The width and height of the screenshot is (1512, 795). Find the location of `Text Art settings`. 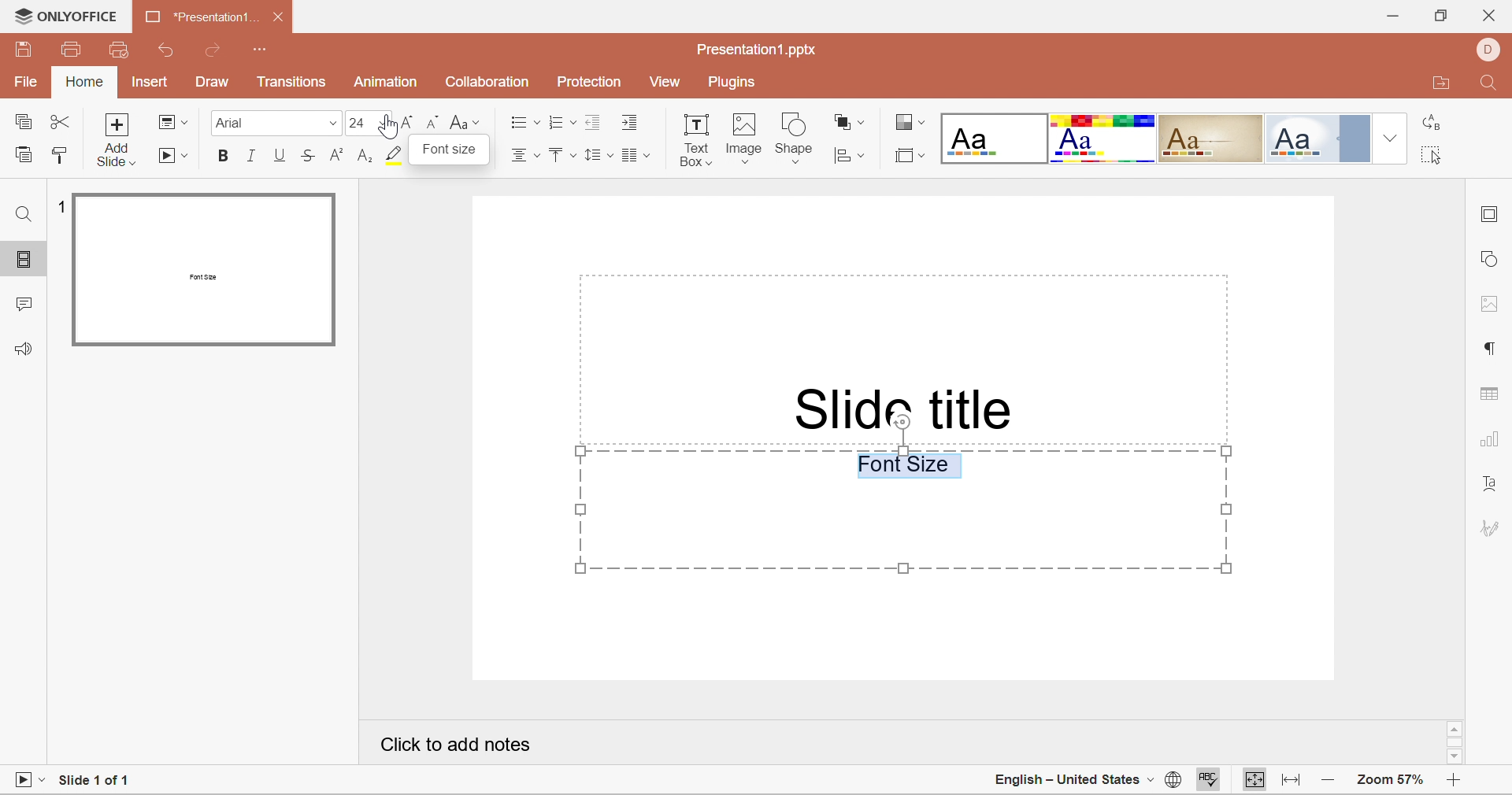

Text Art settings is located at coordinates (1492, 490).